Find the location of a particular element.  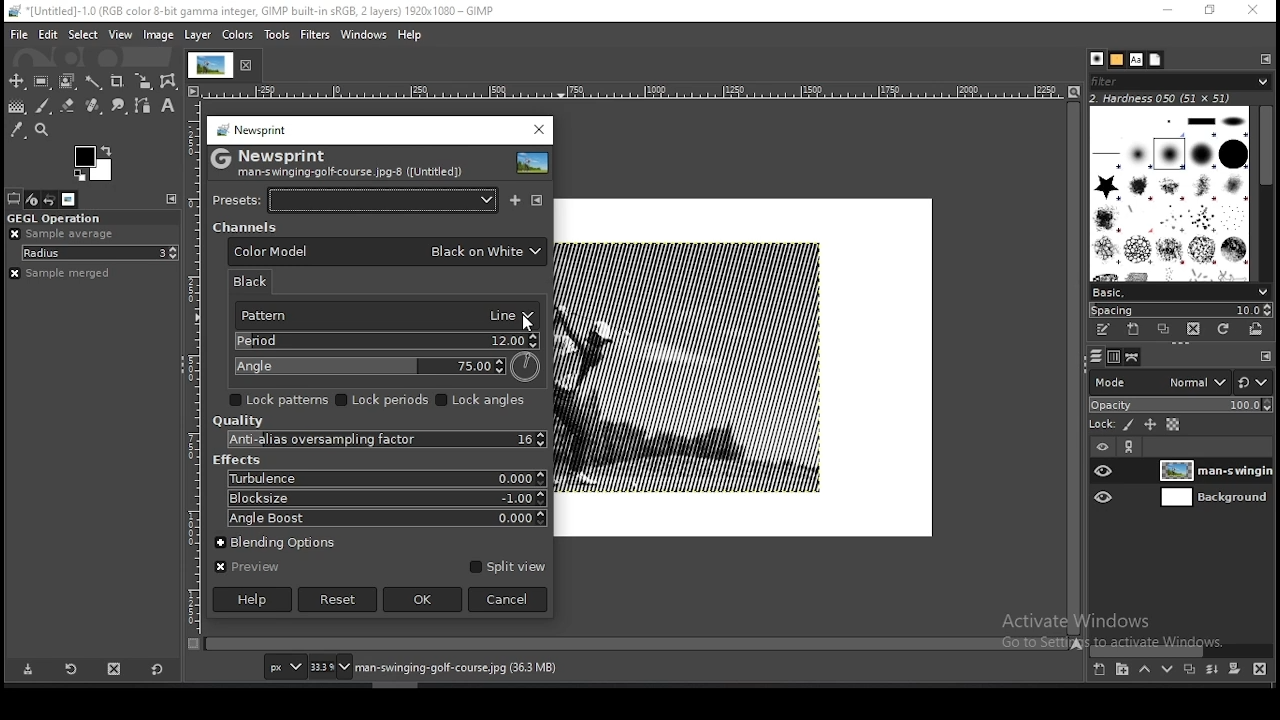

reset is located at coordinates (158, 668).